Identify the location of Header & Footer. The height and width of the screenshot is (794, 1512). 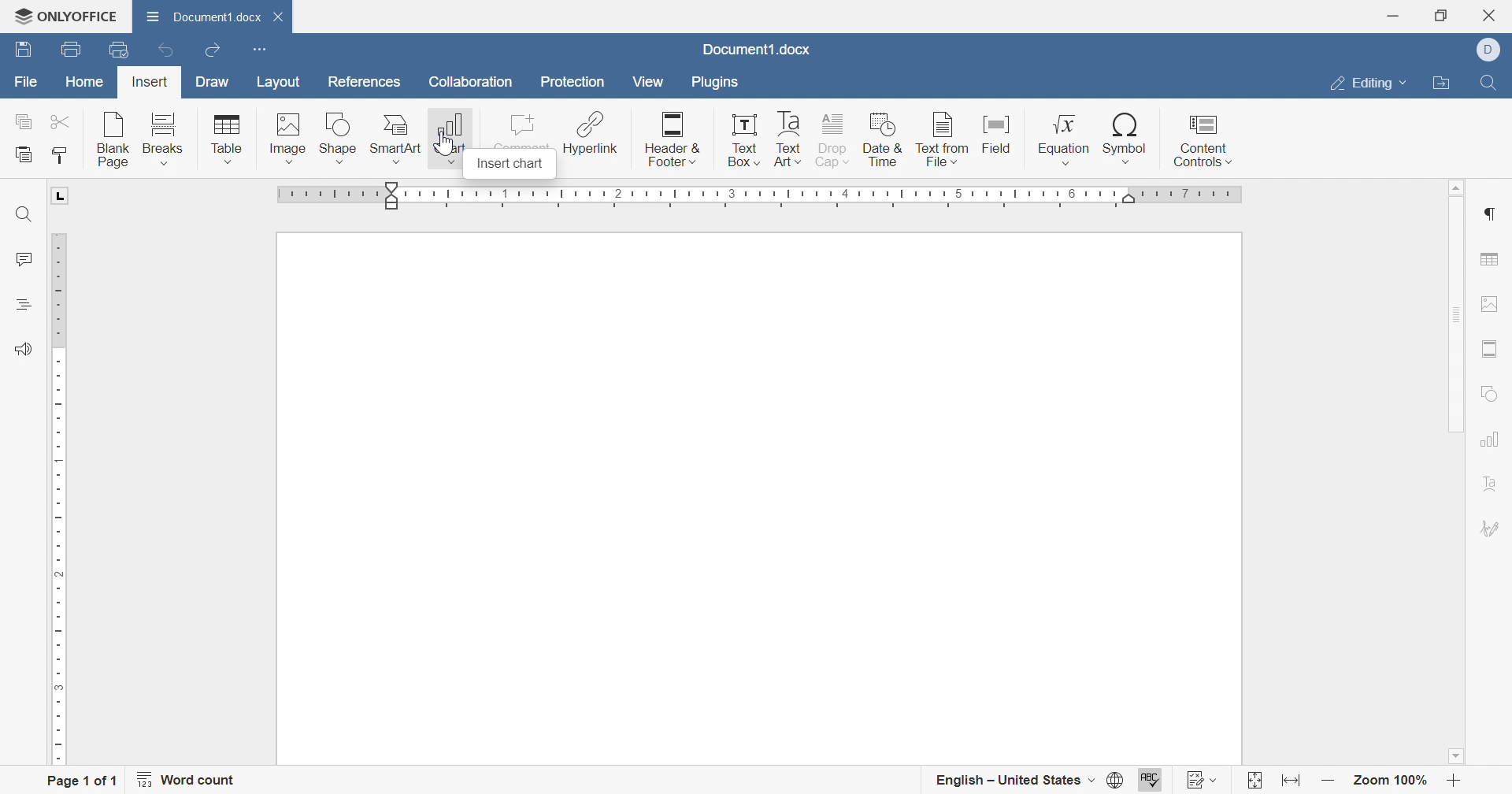
(674, 137).